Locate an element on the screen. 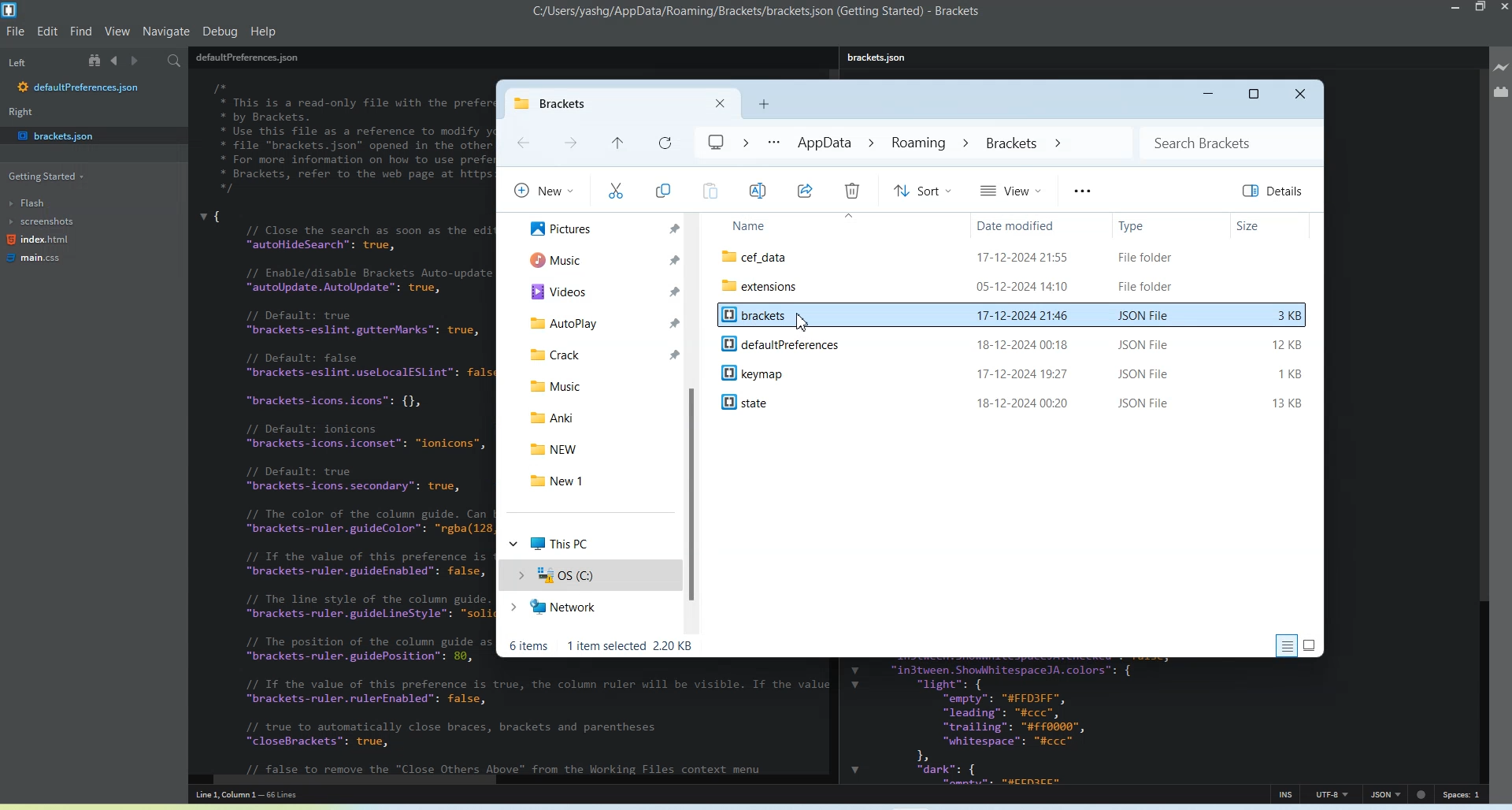 The image size is (1512, 810). Close is located at coordinates (1302, 95).